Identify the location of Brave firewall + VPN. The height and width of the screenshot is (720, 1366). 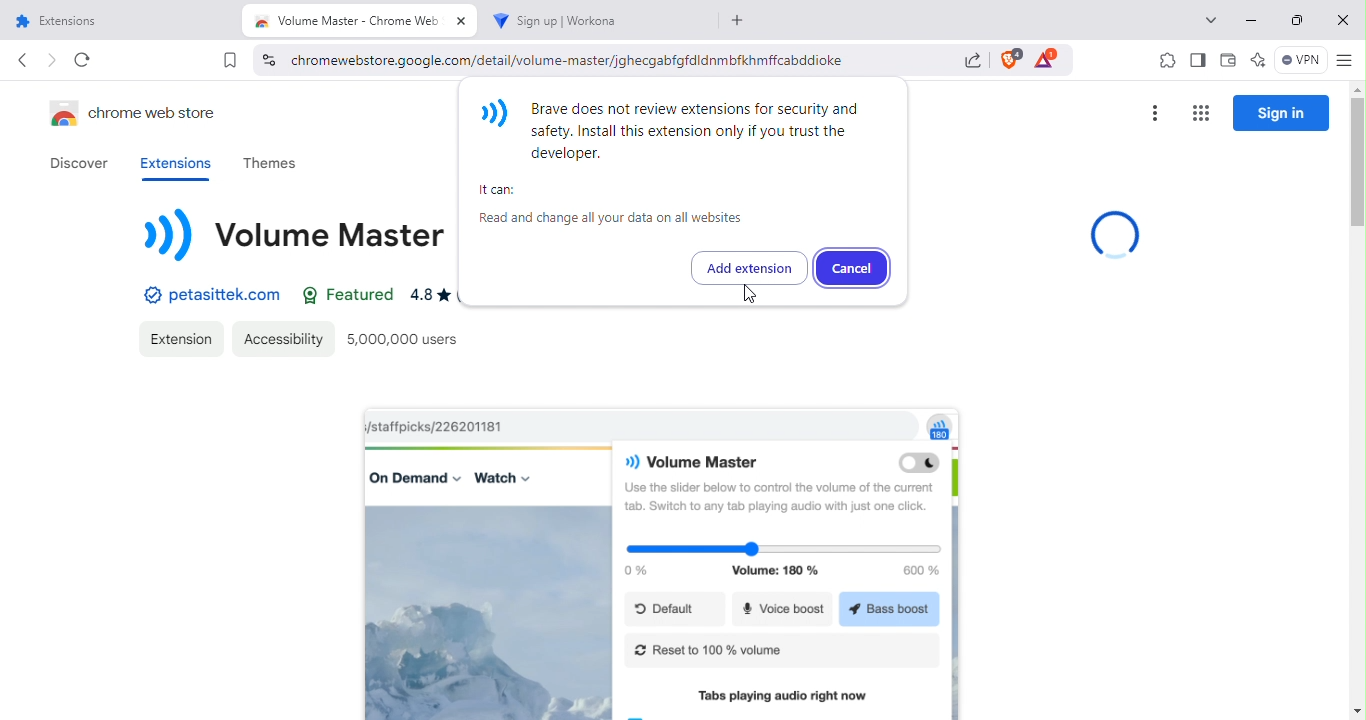
(1301, 60).